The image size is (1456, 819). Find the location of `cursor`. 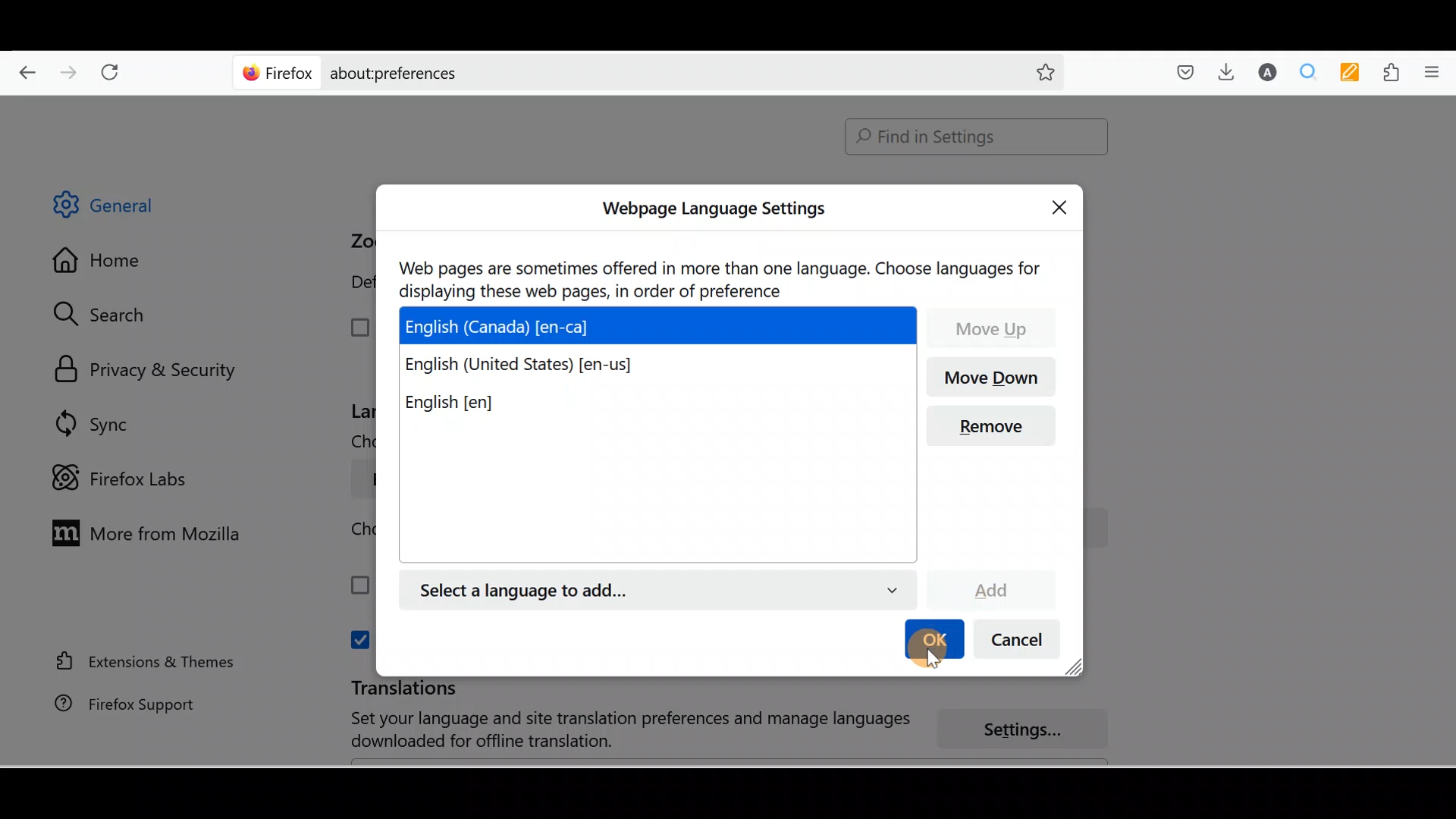

cursor is located at coordinates (937, 645).